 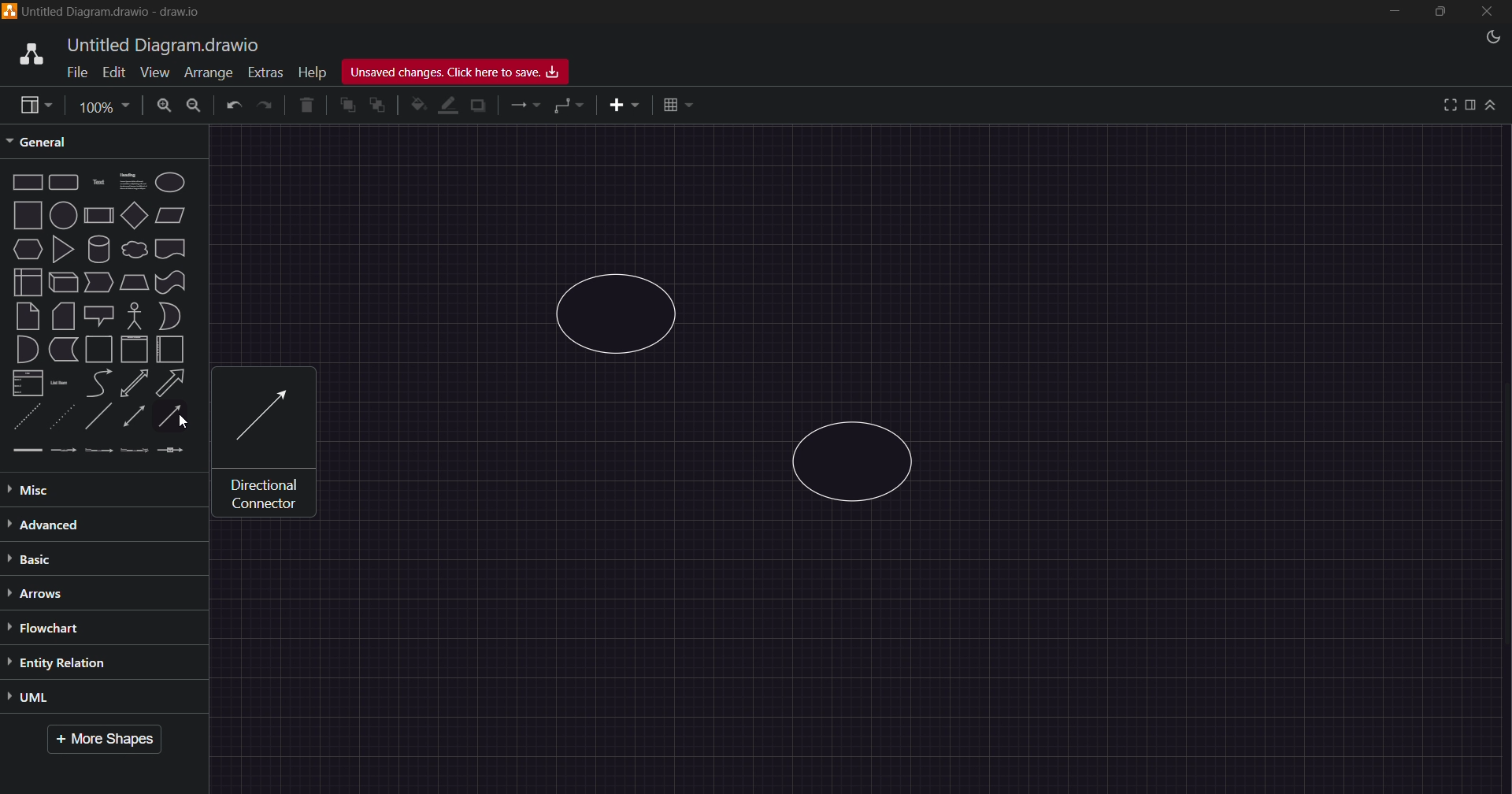 What do you see at coordinates (72, 699) in the screenshot?
I see `UML` at bounding box center [72, 699].